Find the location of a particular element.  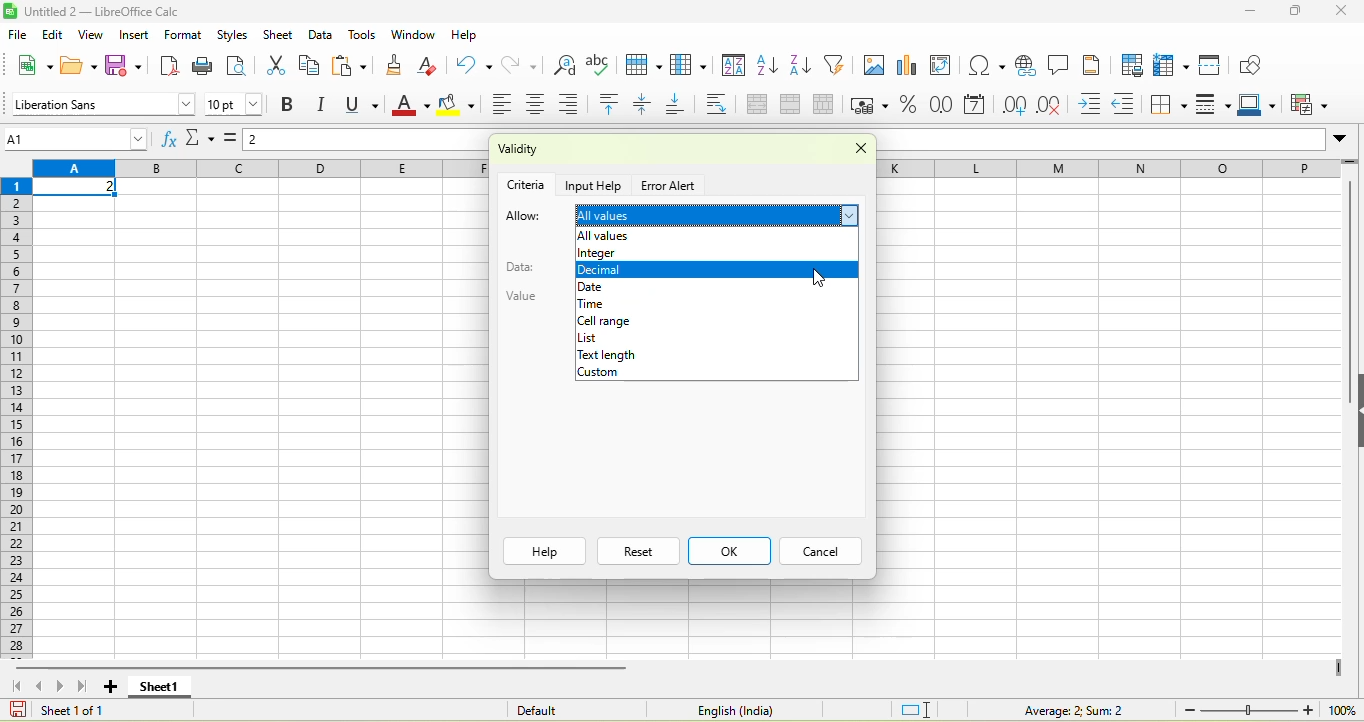

chart is located at coordinates (909, 67).